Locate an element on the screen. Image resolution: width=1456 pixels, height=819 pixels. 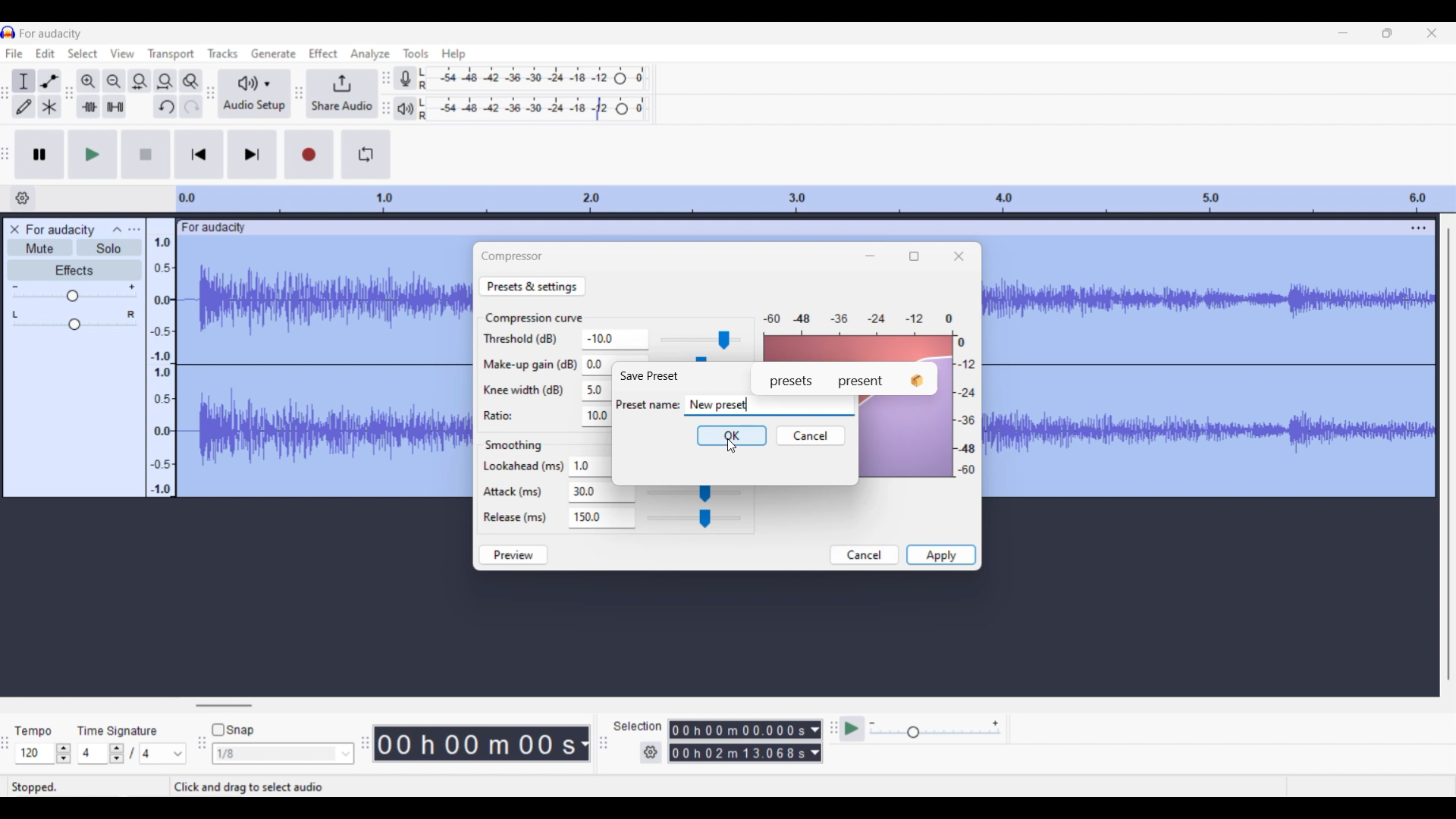
tempo is located at coordinates (33, 731).